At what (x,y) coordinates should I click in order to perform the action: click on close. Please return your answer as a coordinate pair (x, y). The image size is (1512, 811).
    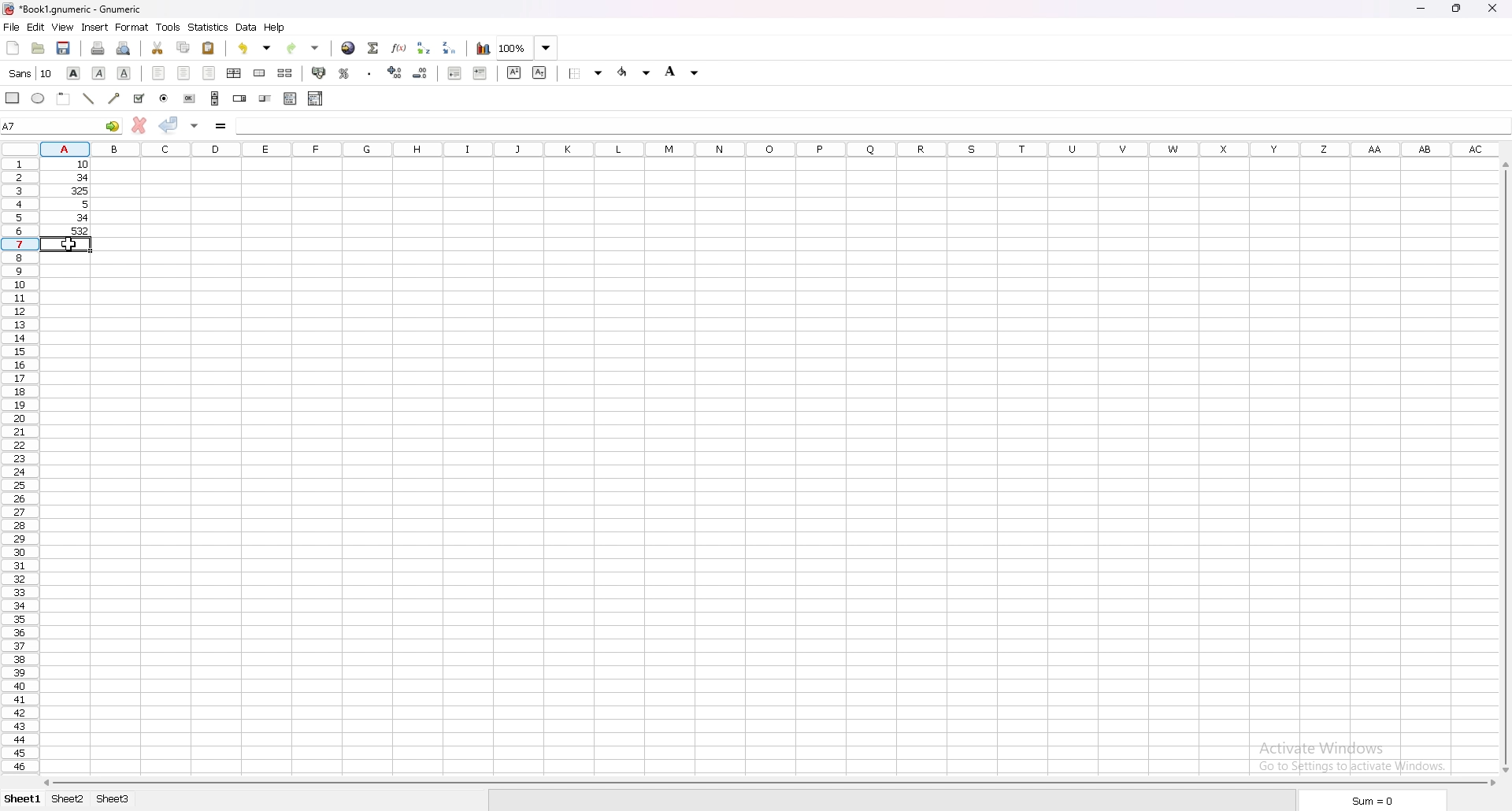
    Looking at the image, I should click on (1492, 9).